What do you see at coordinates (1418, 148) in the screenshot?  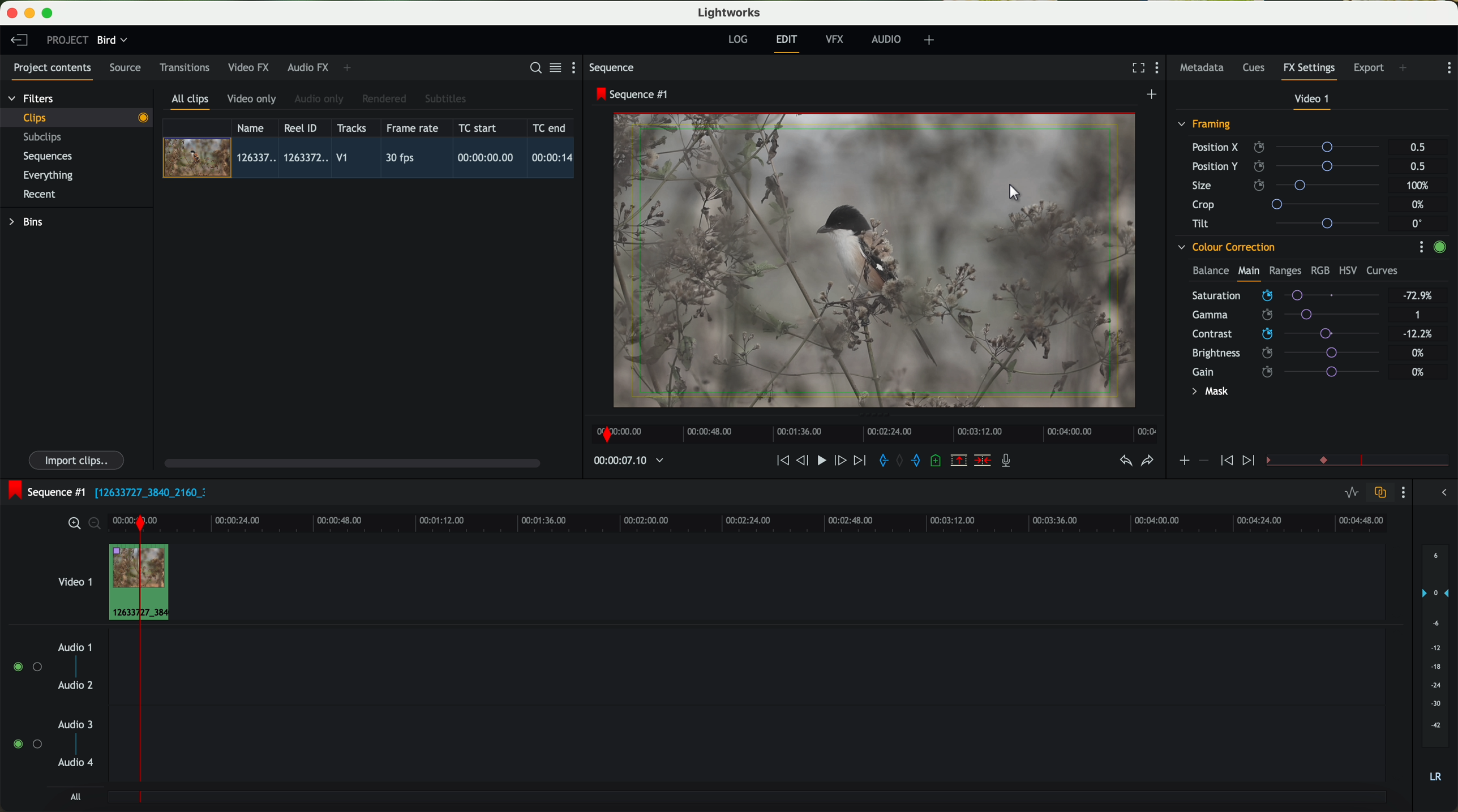 I see `0.5` at bounding box center [1418, 148].